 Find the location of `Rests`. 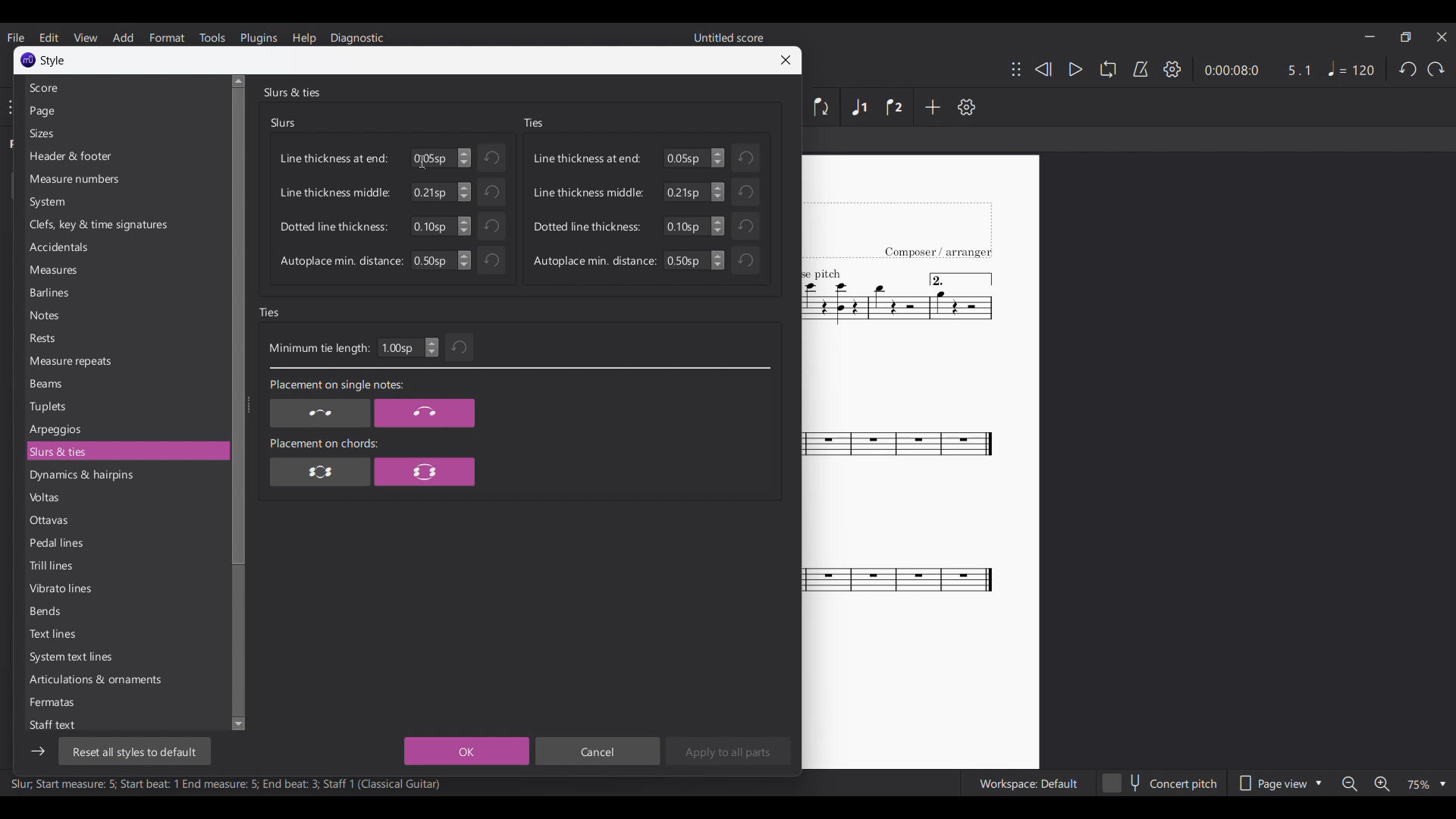

Rests is located at coordinates (125, 337).